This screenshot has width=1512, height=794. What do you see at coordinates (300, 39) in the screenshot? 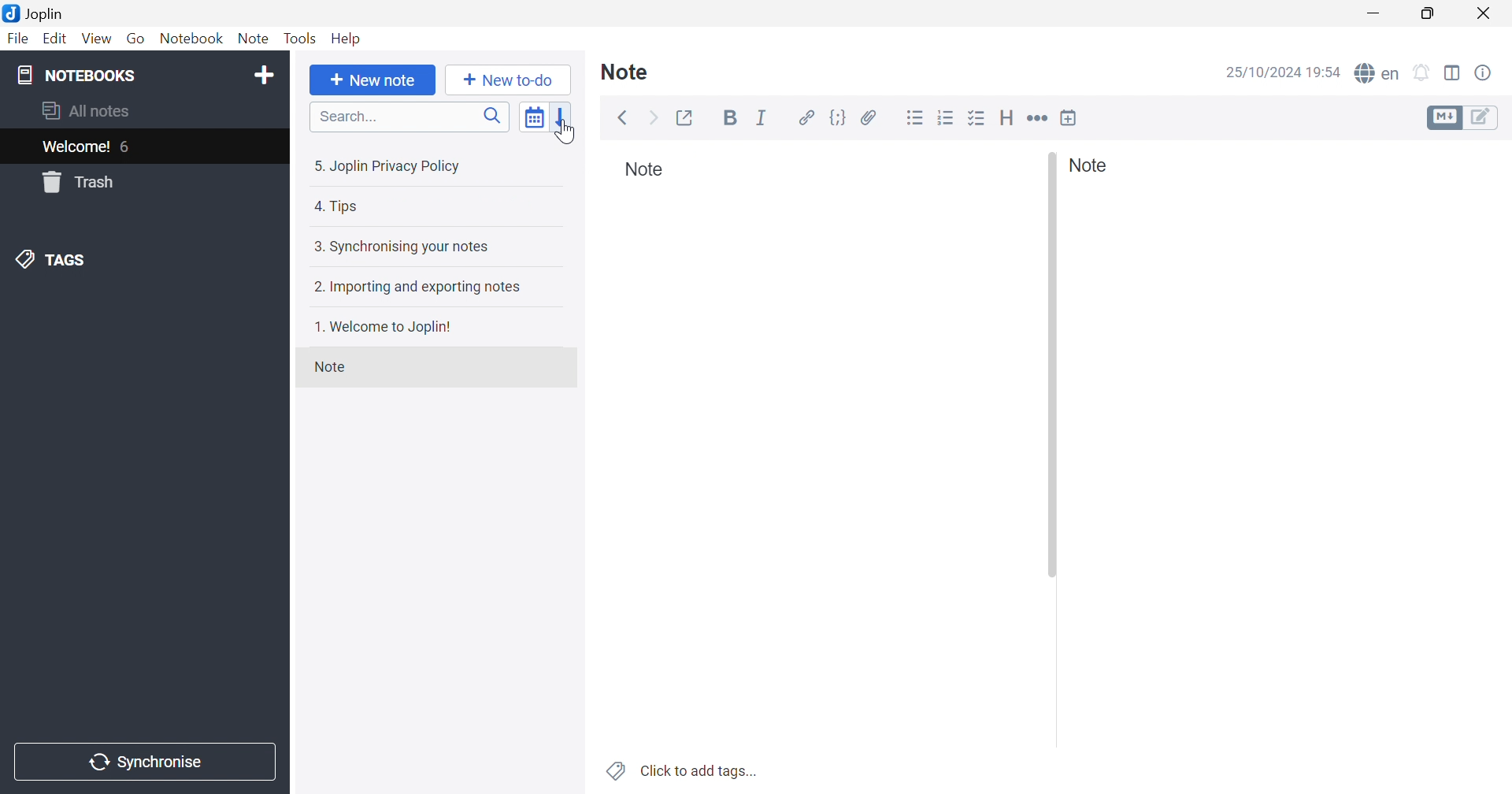
I see `Tools` at bounding box center [300, 39].